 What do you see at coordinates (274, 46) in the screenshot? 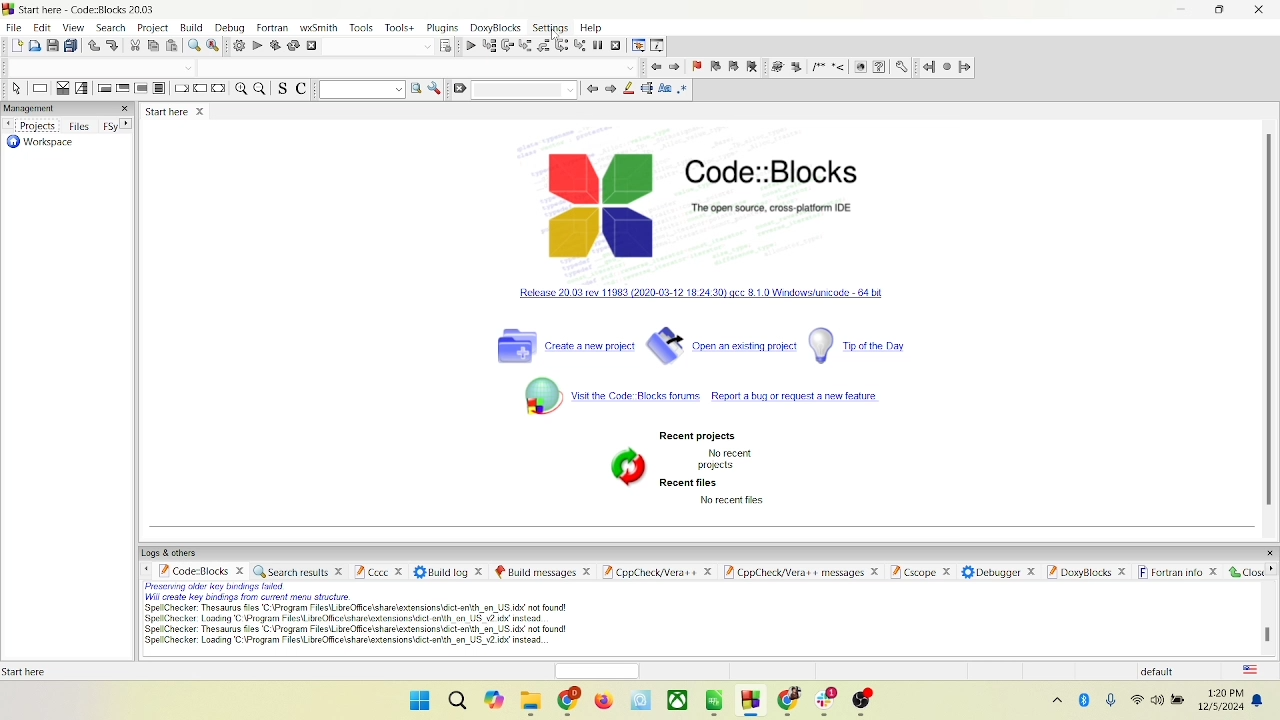
I see `build and run` at bounding box center [274, 46].